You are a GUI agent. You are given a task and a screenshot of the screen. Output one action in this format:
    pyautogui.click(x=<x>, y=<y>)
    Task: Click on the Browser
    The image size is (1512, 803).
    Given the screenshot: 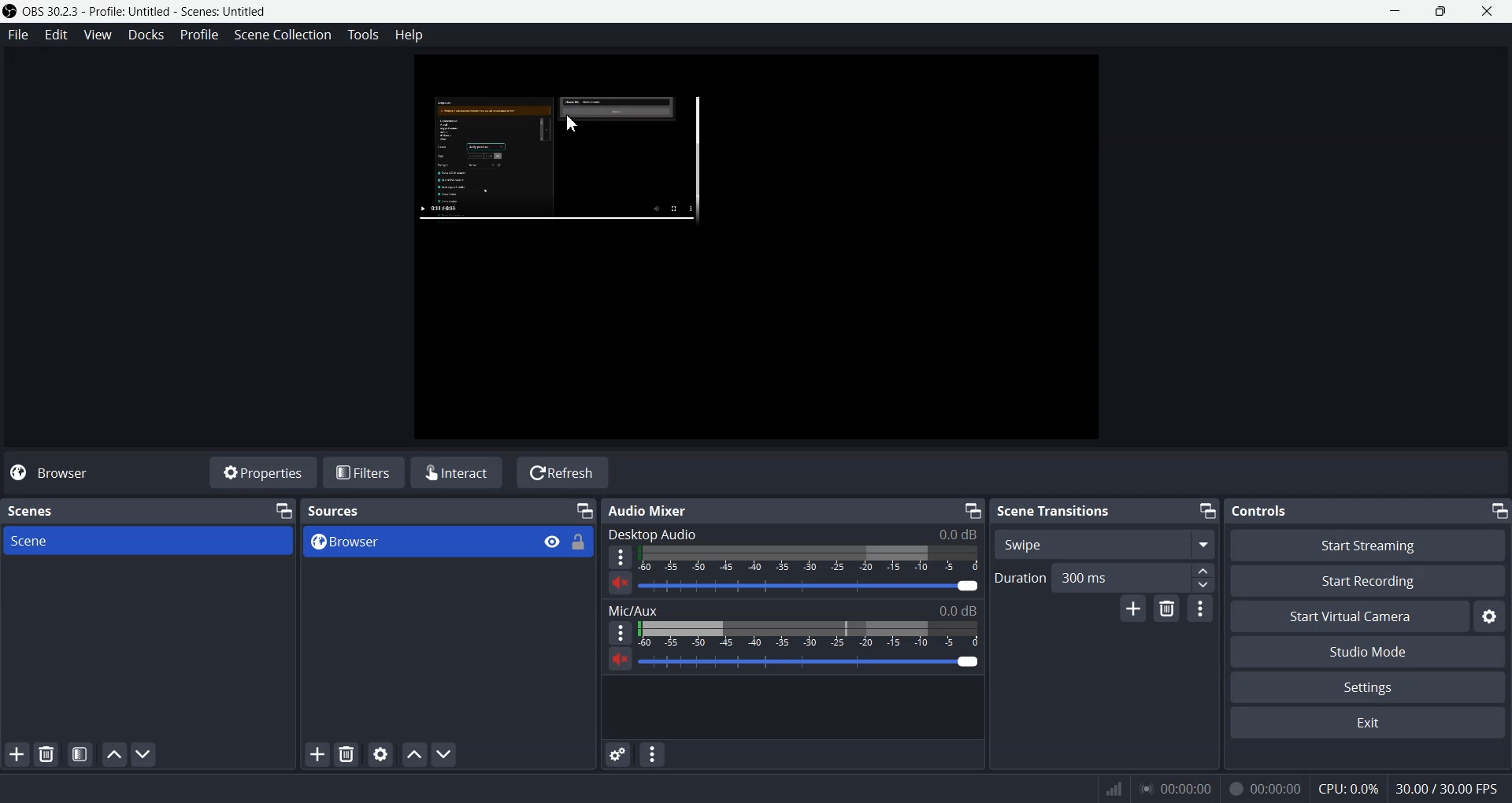 What is the action you would take?
    pyautogui.click(x=61, y=472)
    